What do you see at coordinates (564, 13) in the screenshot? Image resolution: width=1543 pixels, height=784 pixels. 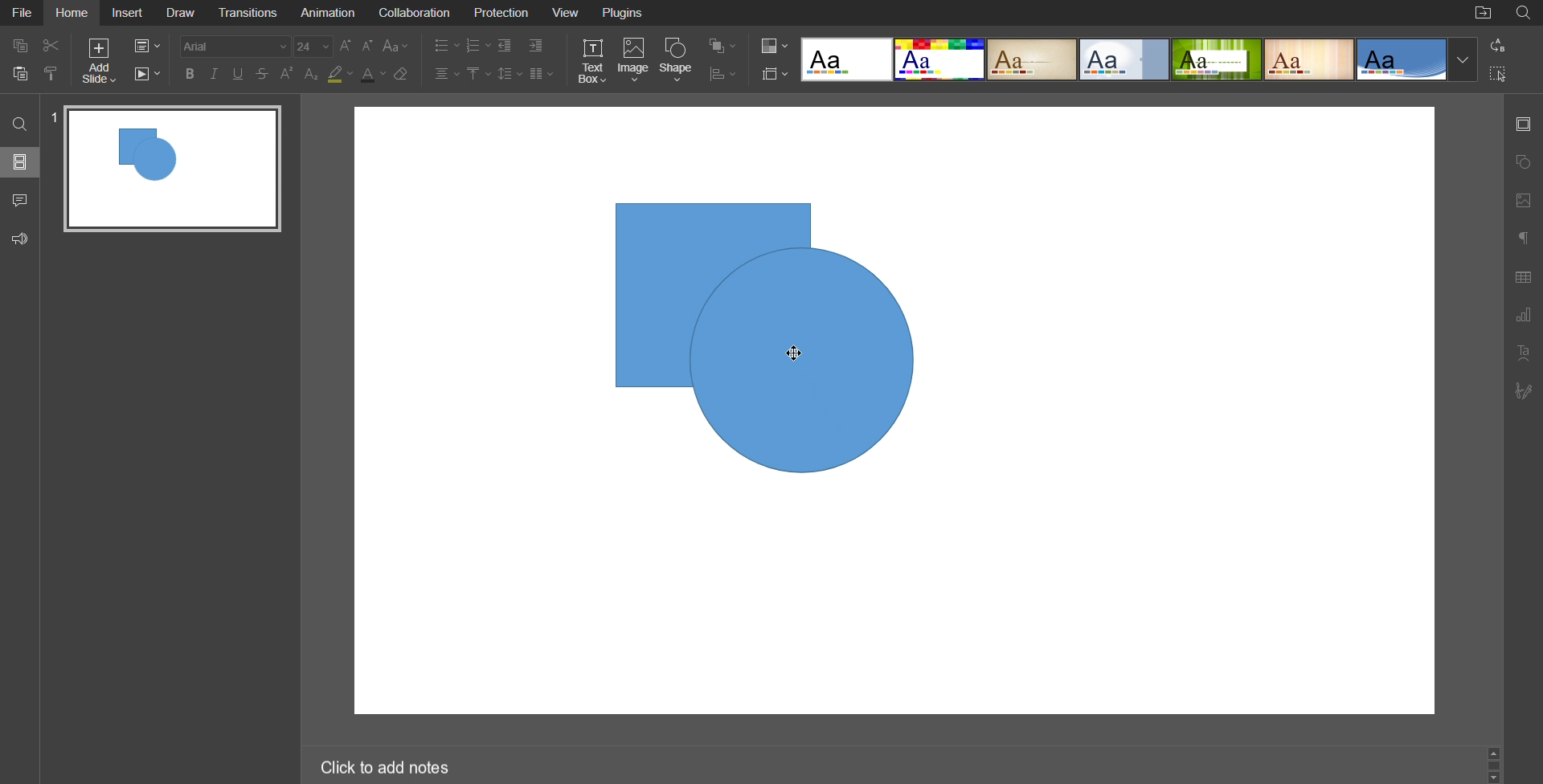 I see `View` at bounding box center [564, 13].